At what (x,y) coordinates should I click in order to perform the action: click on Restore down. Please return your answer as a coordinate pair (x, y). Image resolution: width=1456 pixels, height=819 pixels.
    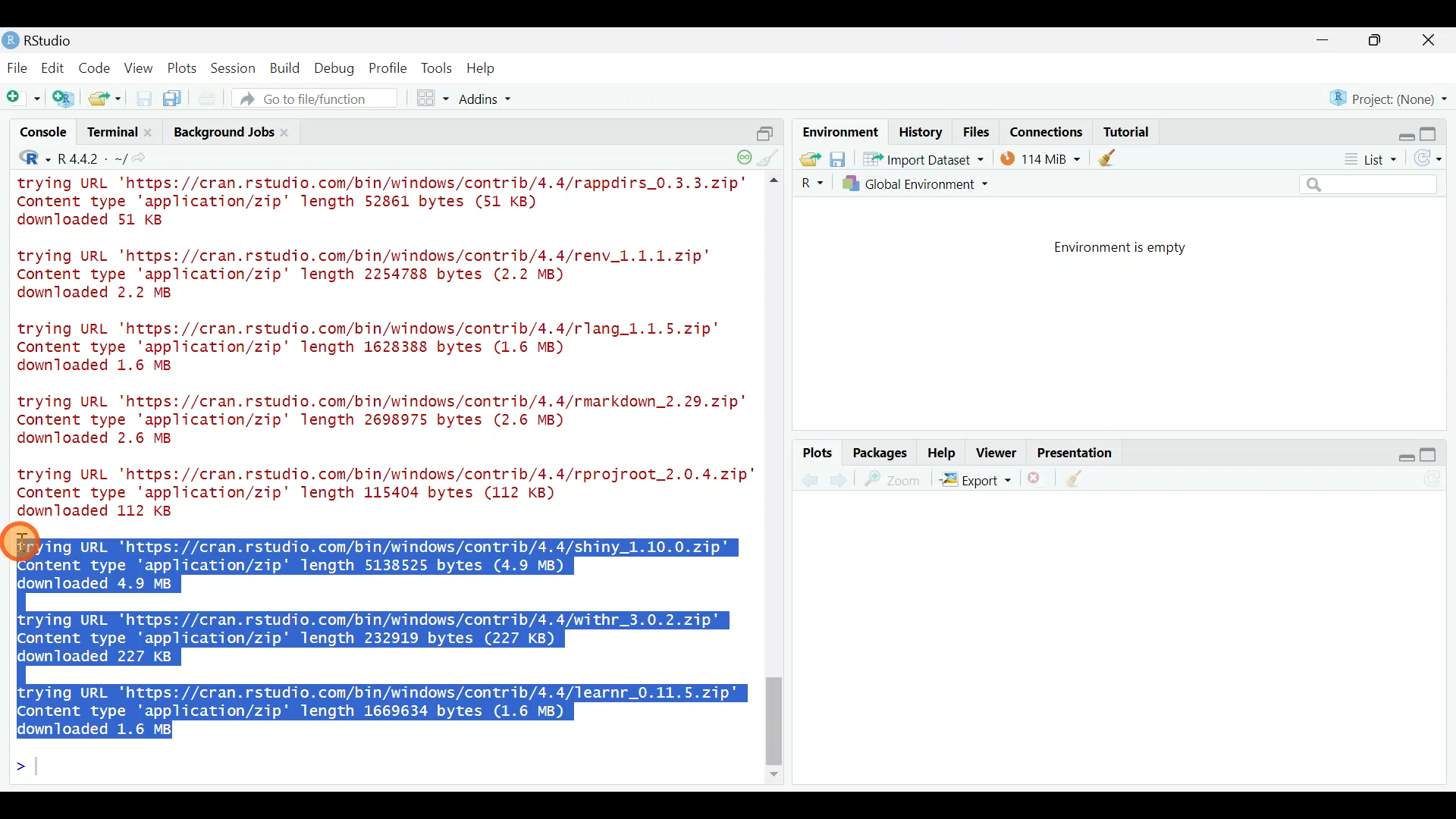
    Looking at the image, I should click on (1400, 131).